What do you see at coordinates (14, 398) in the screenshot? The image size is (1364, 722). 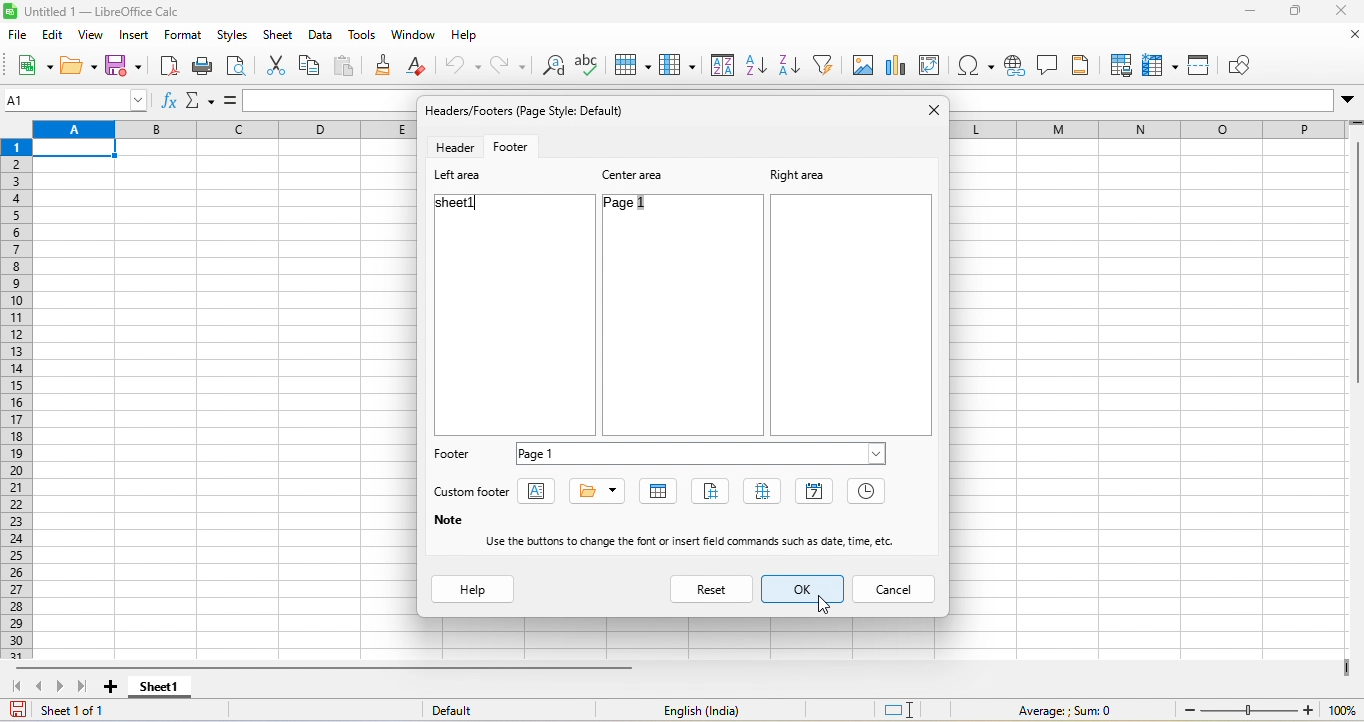 I see `rows` at bounding box center [14, 398].